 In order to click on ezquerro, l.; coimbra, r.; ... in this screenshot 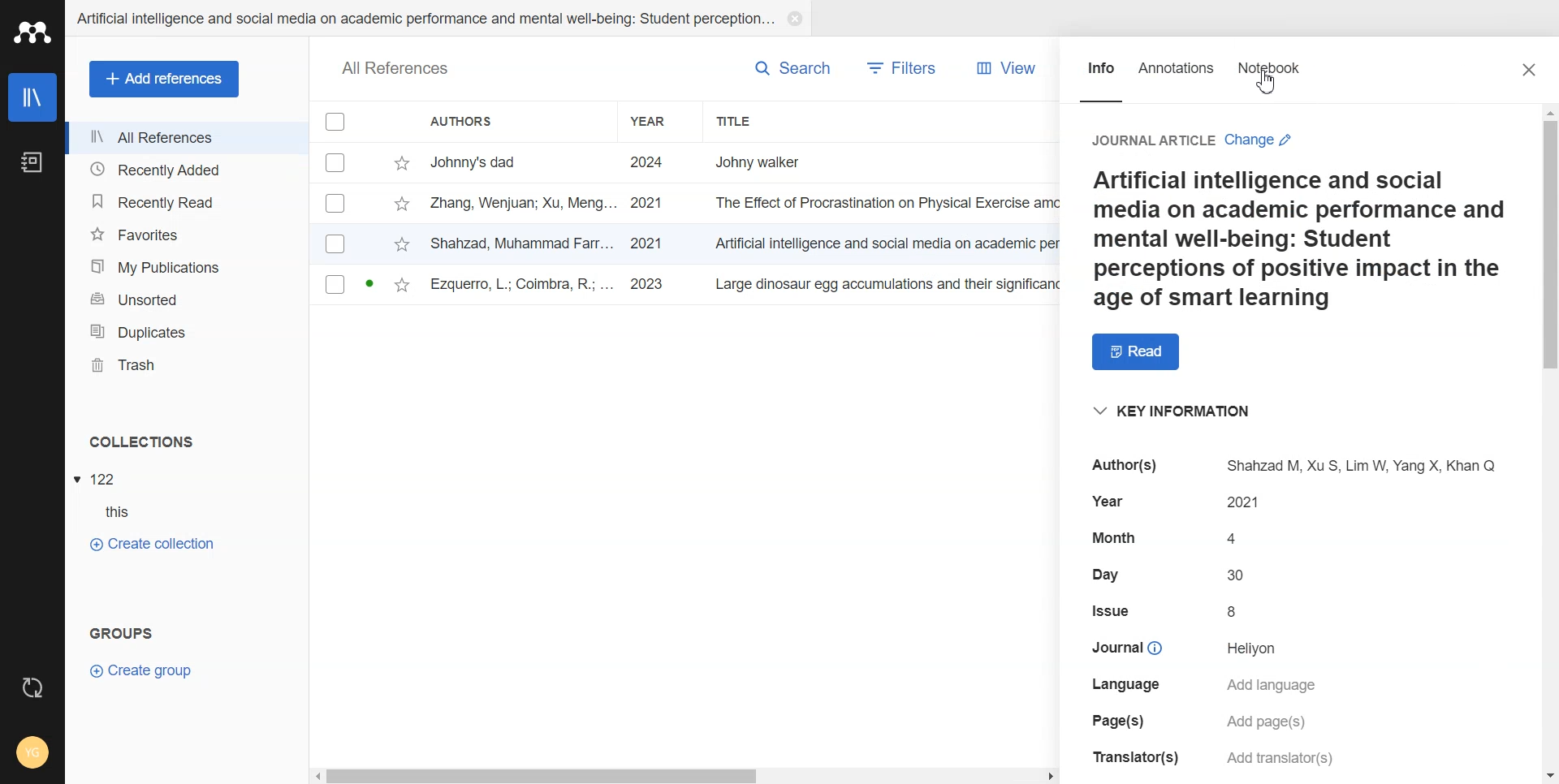, I will do `click(524, 286)`.